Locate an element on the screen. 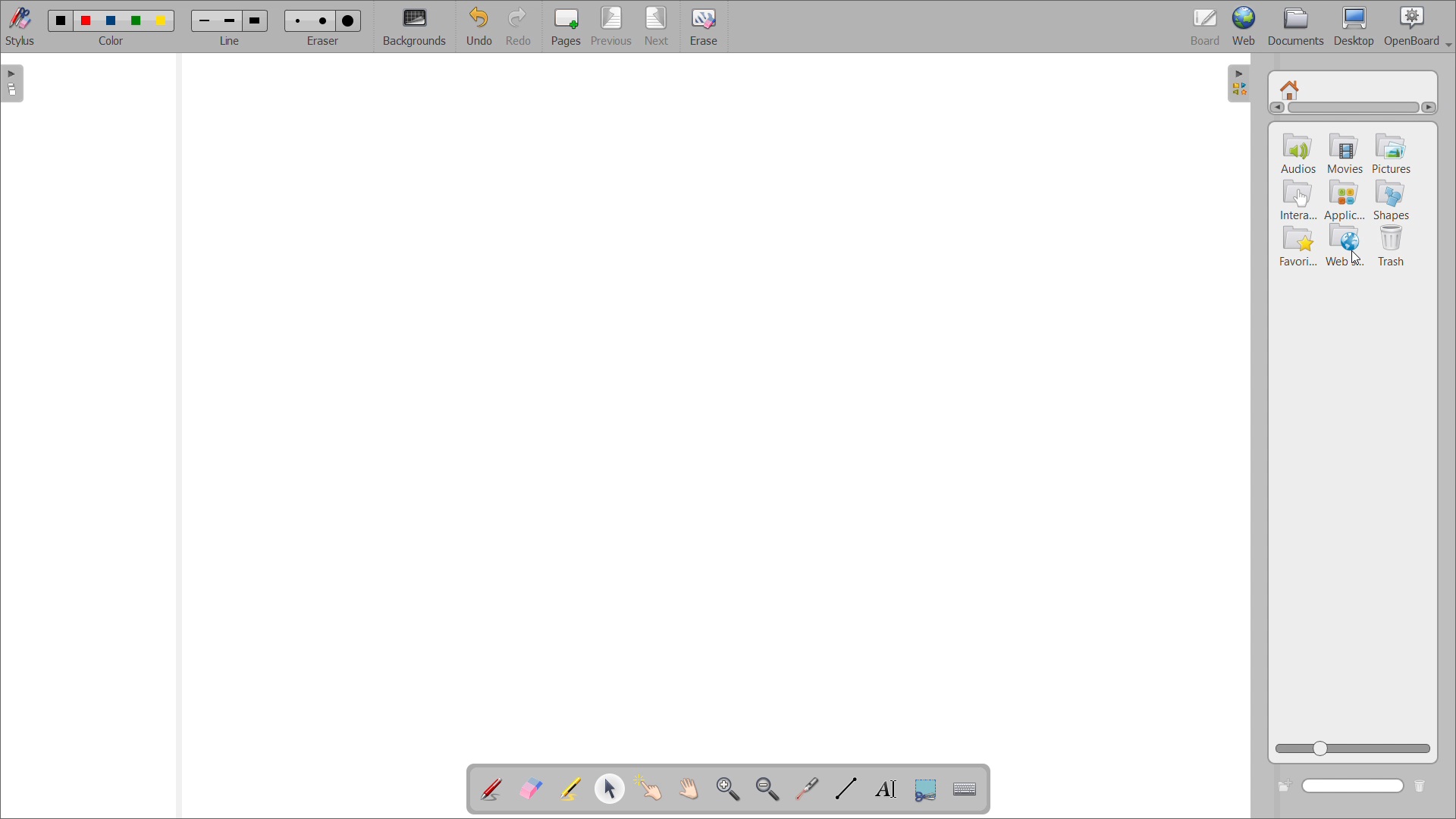 The image size is (1456, 819). board space is located at coordinates (698, 402).